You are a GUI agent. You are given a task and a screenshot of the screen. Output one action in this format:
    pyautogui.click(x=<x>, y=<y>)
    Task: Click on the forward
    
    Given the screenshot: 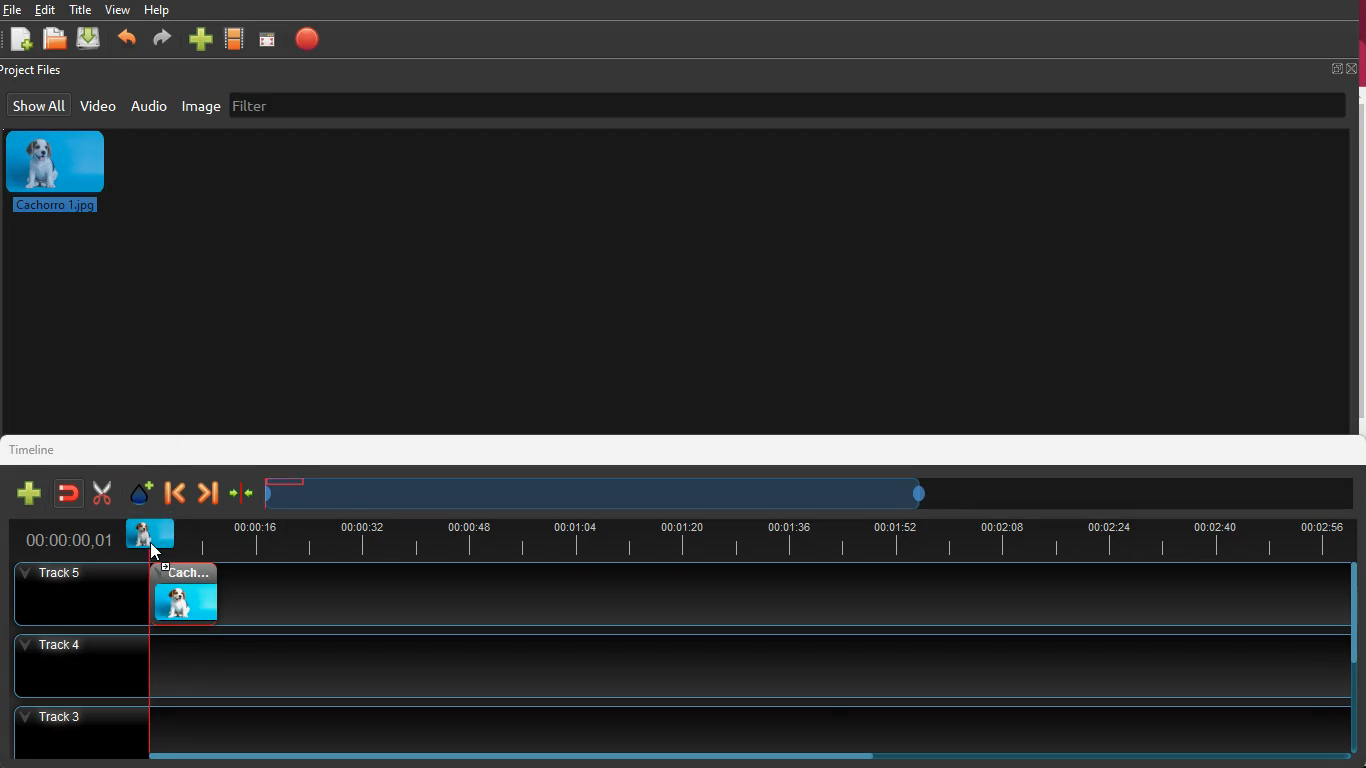 What is the action you would take?
    pyautogui.click(x=209, y=490)
    